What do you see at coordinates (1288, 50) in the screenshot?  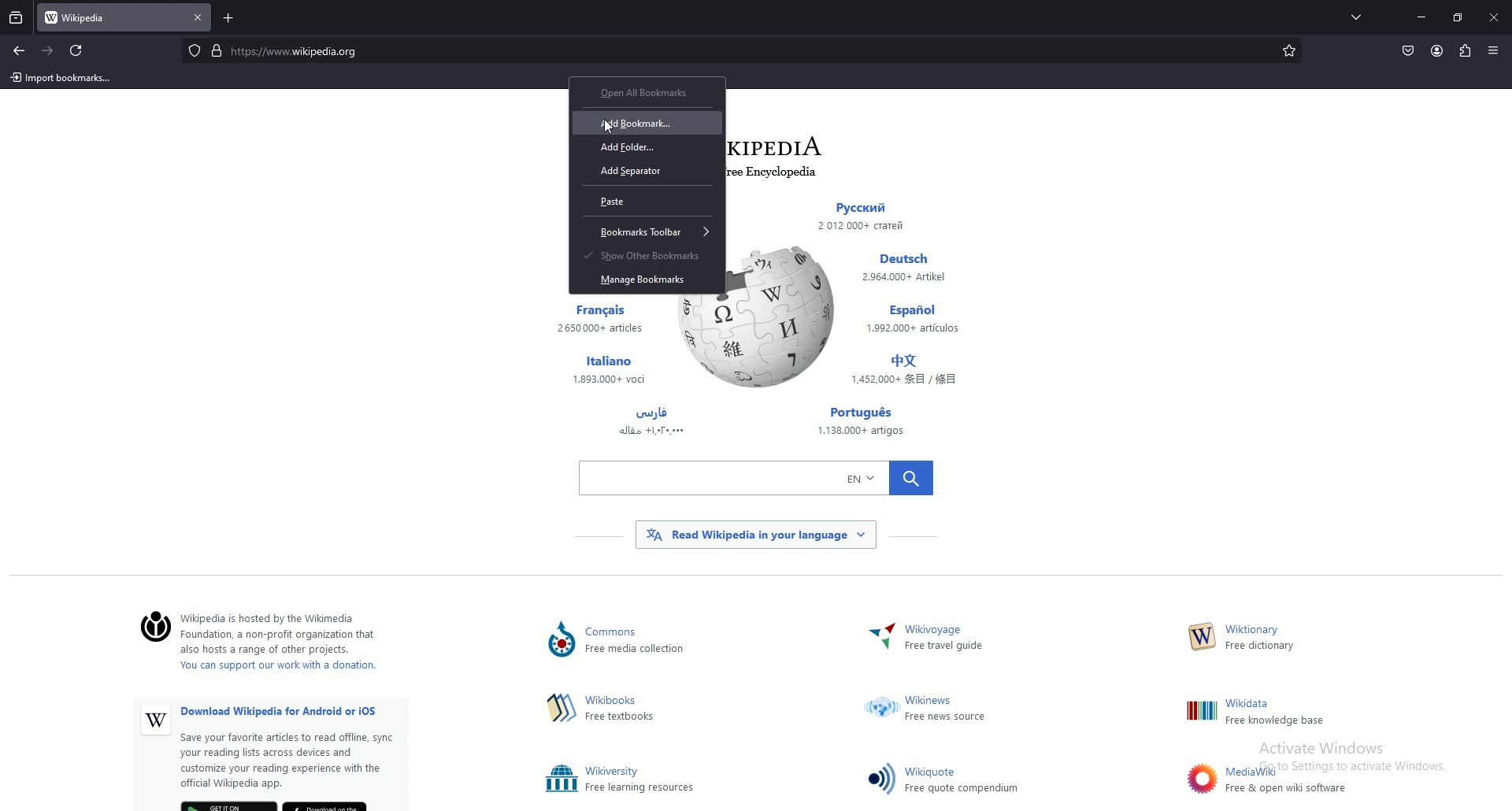 I see `bookmarks` at bounding box center [1288, 50].